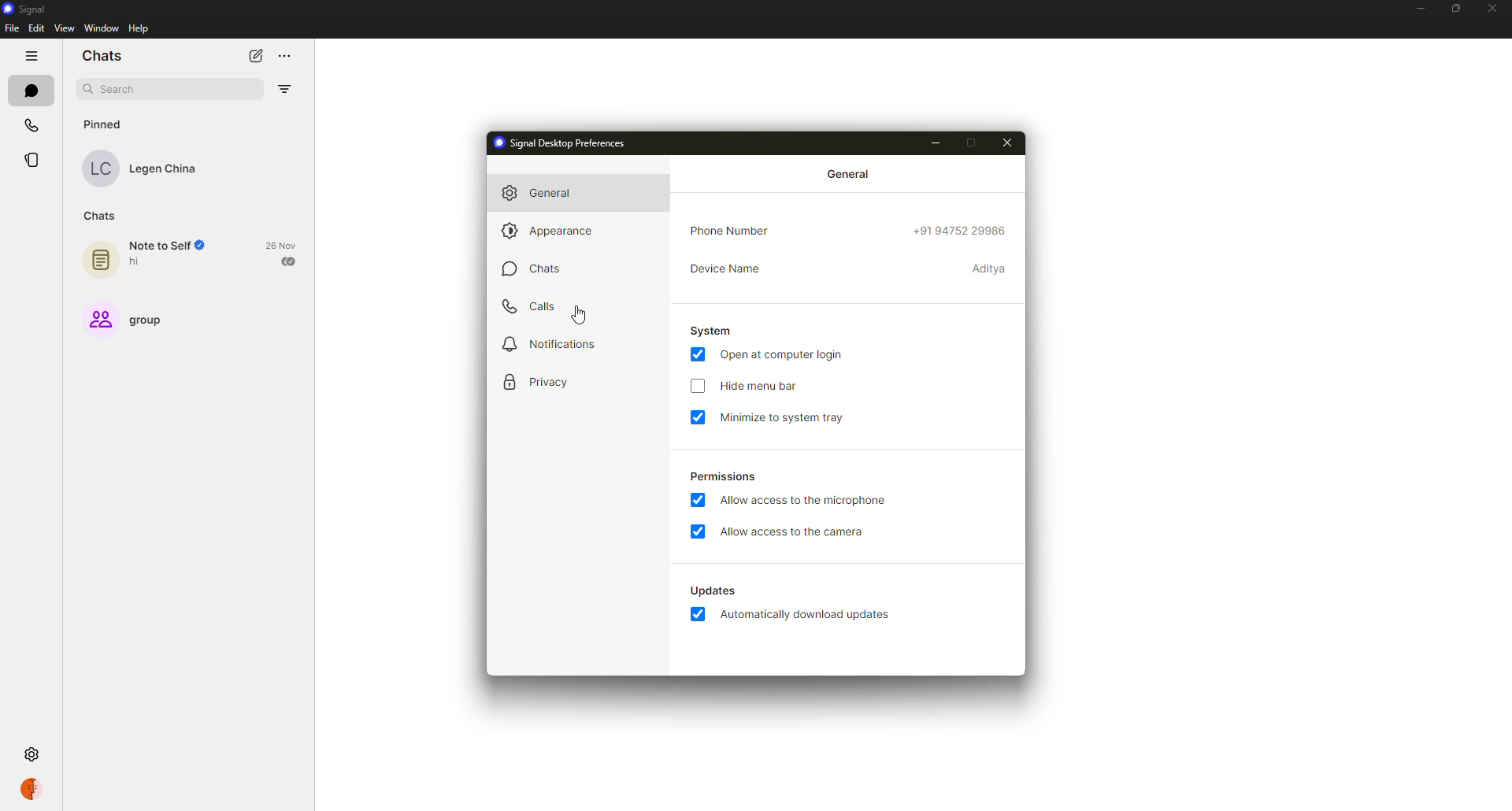  Describe the element at coordinates (101, 29) in the screenshot. I see `window` at that location.